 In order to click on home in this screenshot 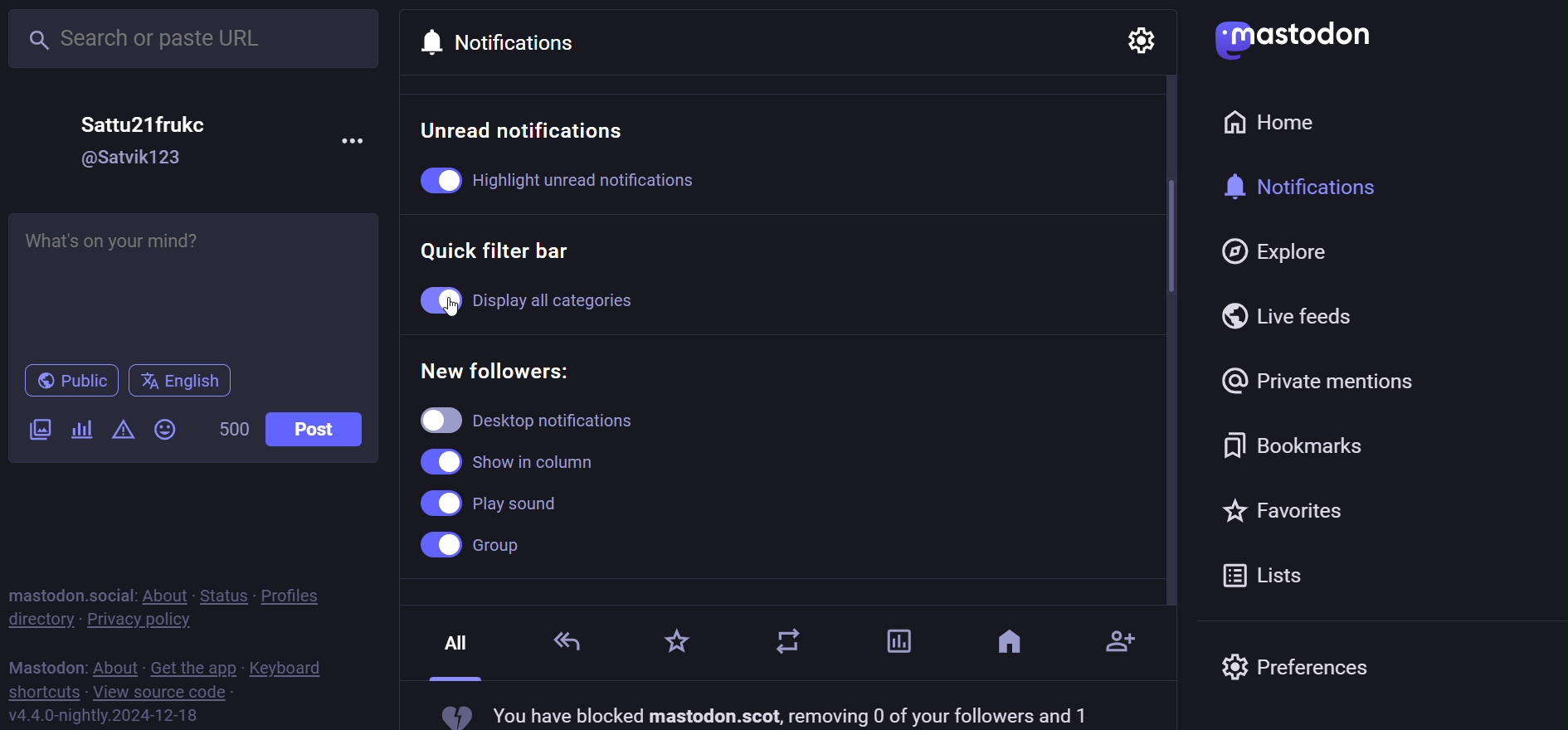, I will do `click(1281, 123)`.